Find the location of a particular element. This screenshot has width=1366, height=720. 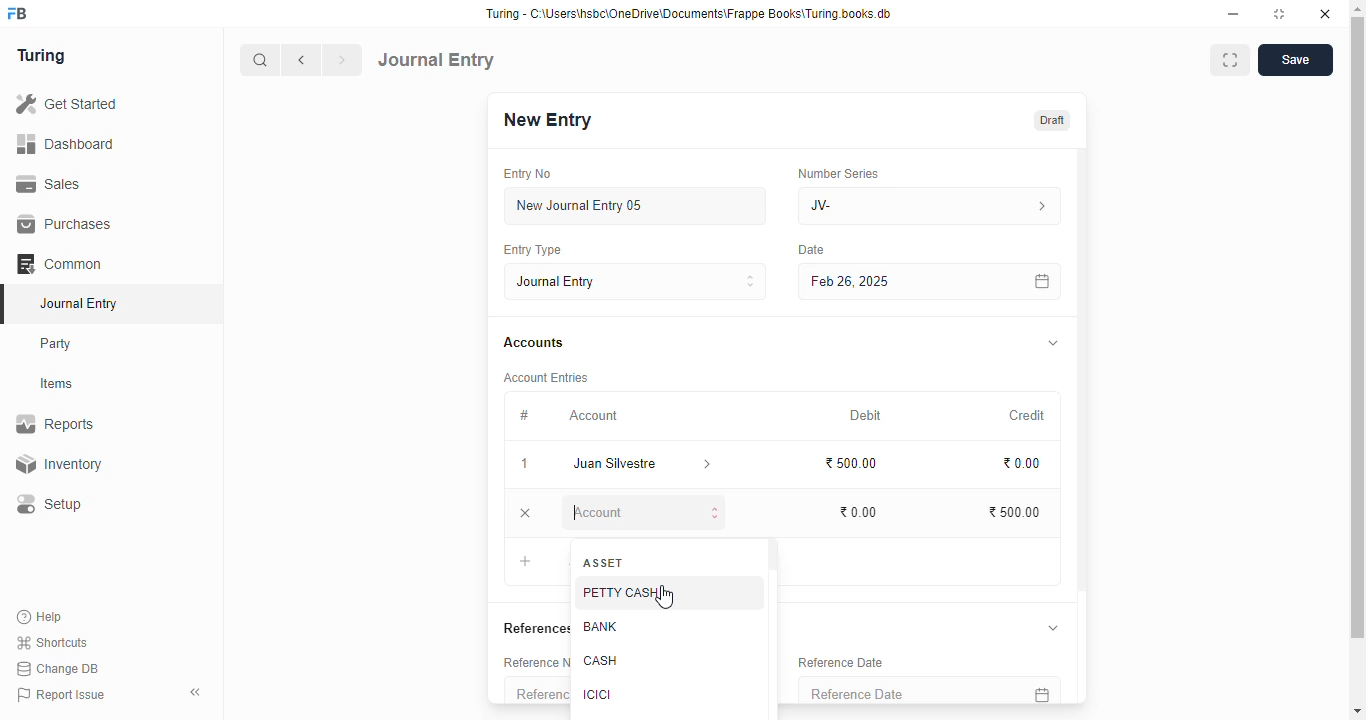

search is located at coordinates (261, 60).